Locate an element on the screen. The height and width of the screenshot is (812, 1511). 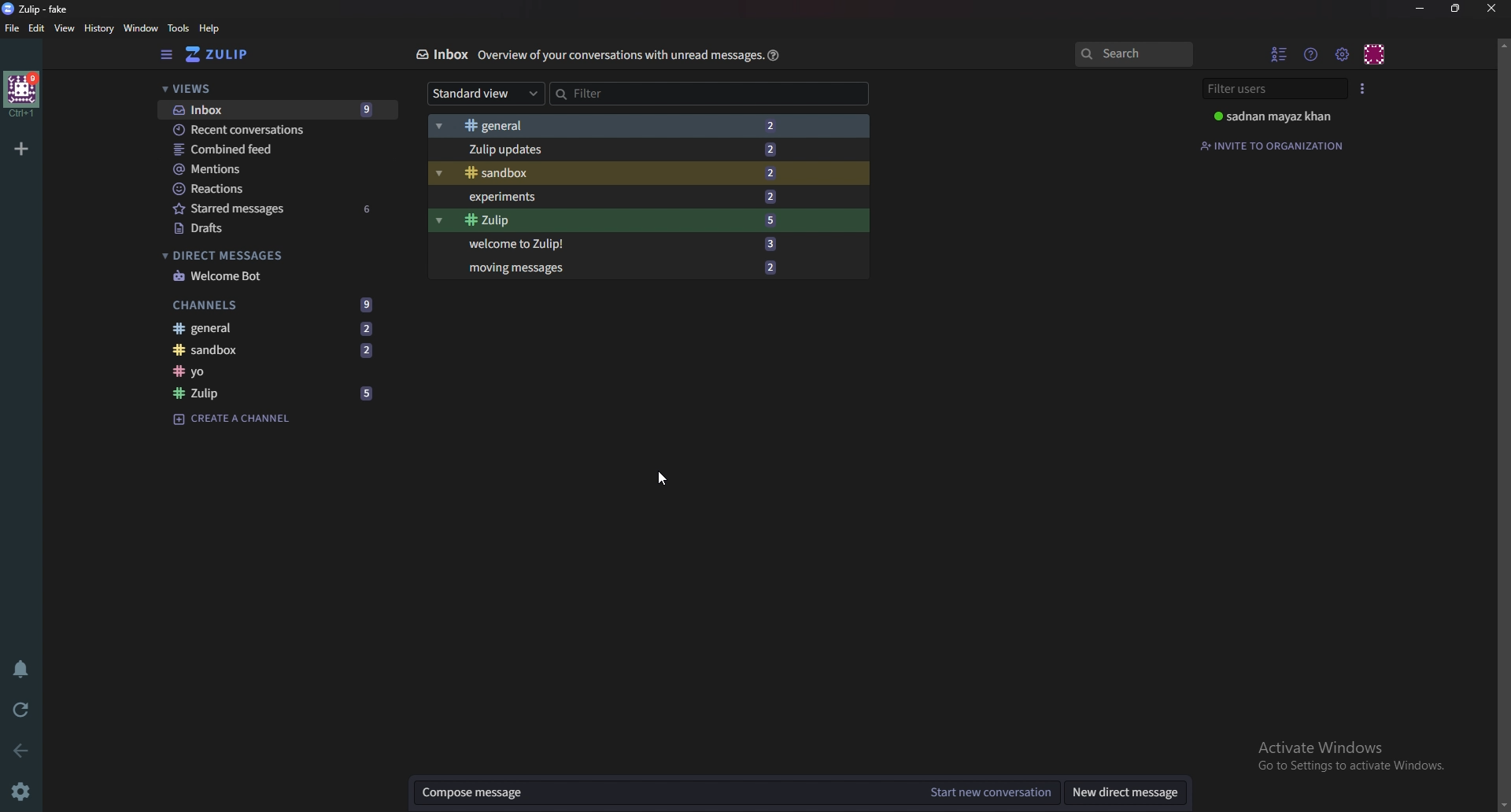
combined feed is located at coordinates (264, 149).